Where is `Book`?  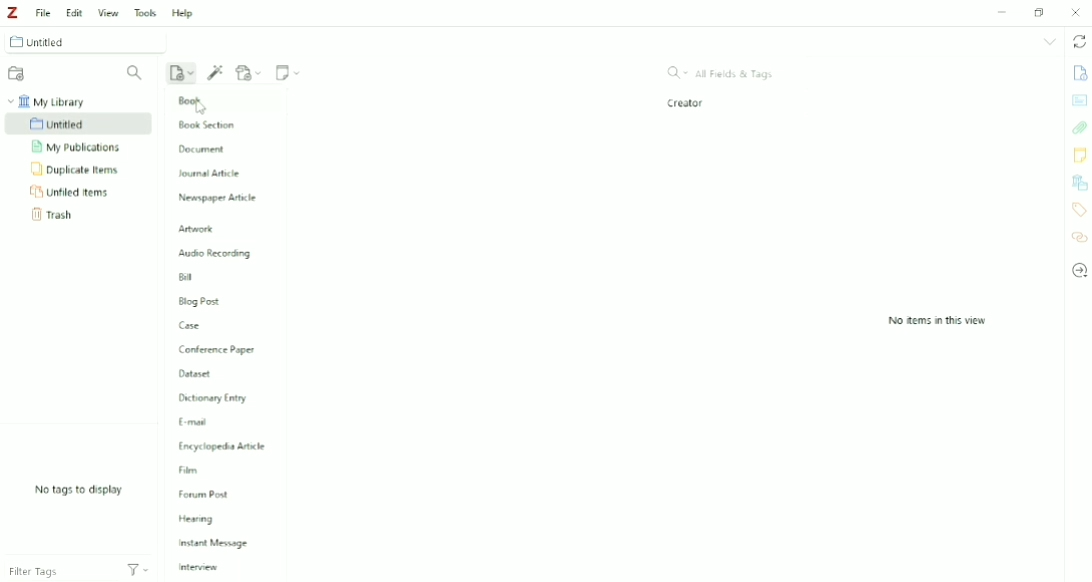
Book is located at coordinates (191, 104).